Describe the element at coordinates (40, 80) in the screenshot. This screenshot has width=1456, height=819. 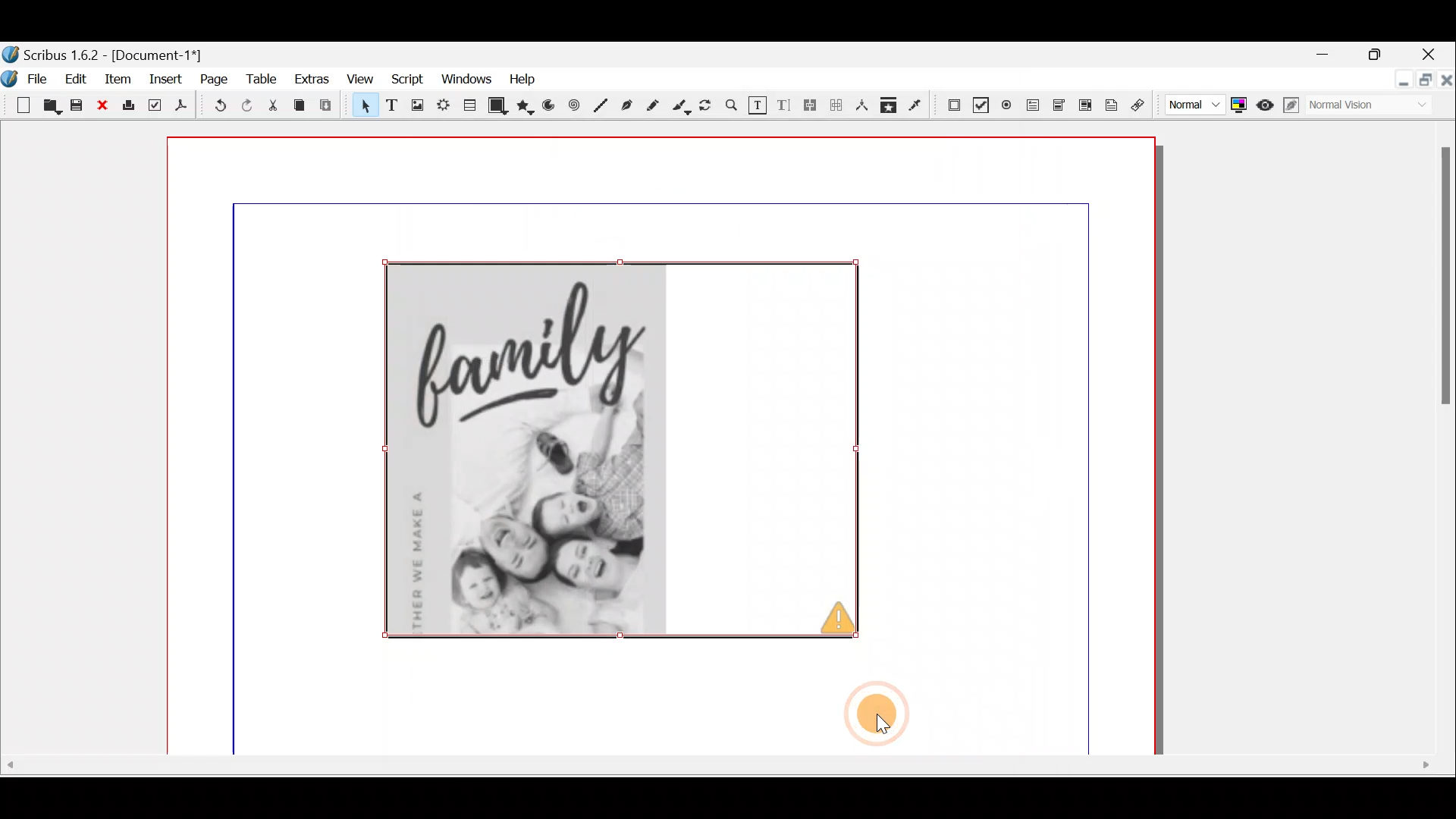
I see `File` at that location.